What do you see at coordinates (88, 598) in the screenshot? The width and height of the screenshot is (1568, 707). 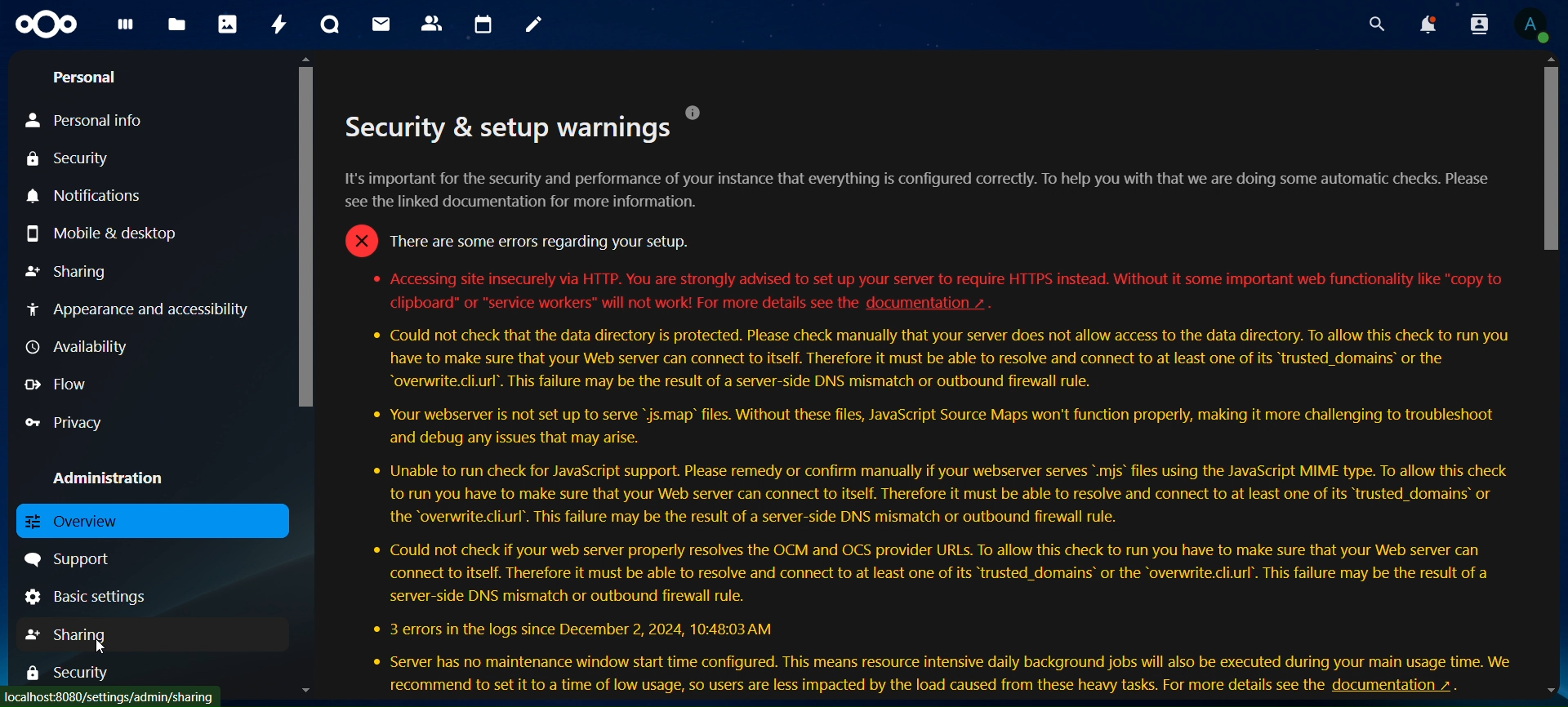 I see `basic settings` at bounding box center [88, 598].